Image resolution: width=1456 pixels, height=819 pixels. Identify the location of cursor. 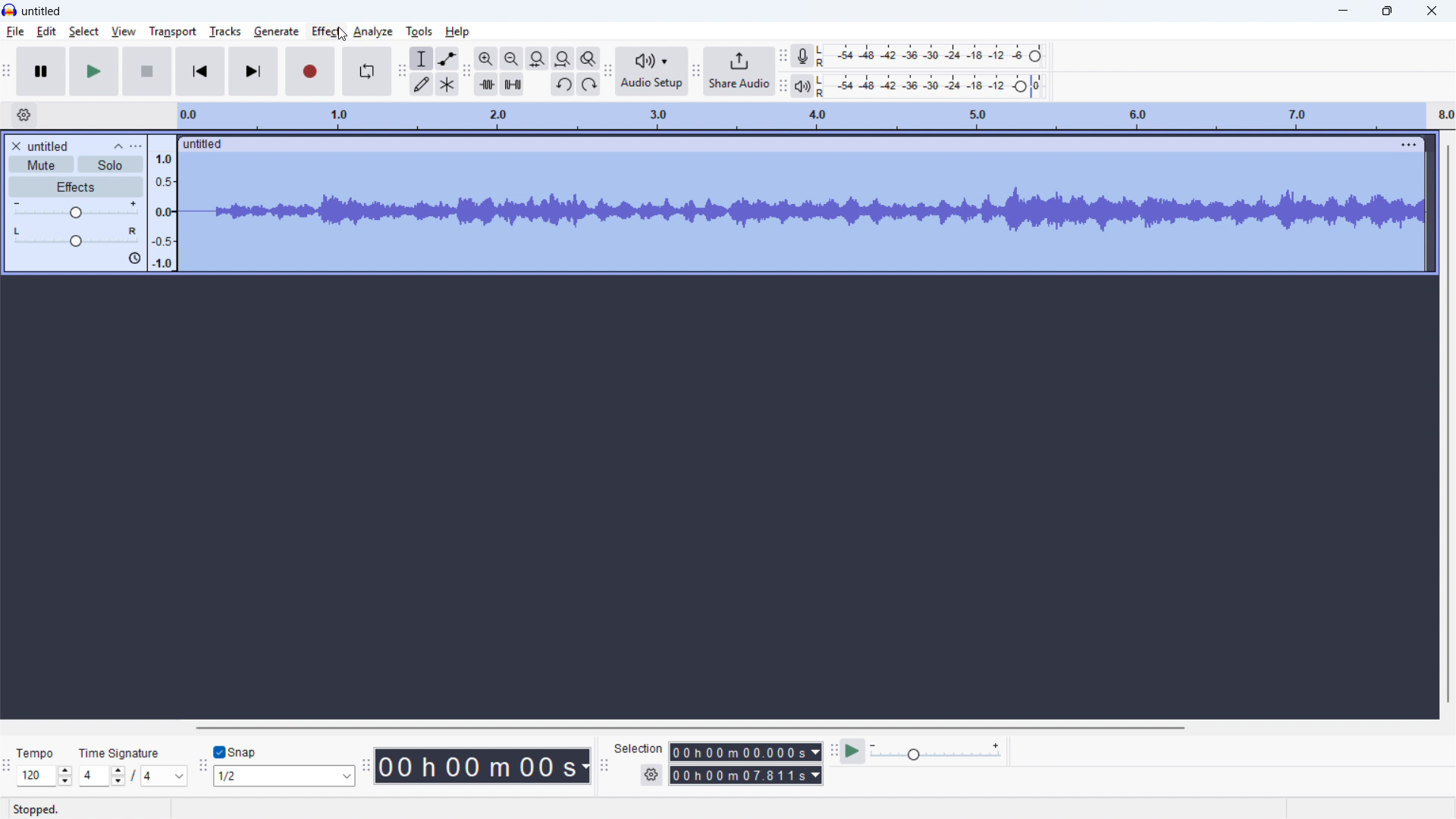
(341, 34).